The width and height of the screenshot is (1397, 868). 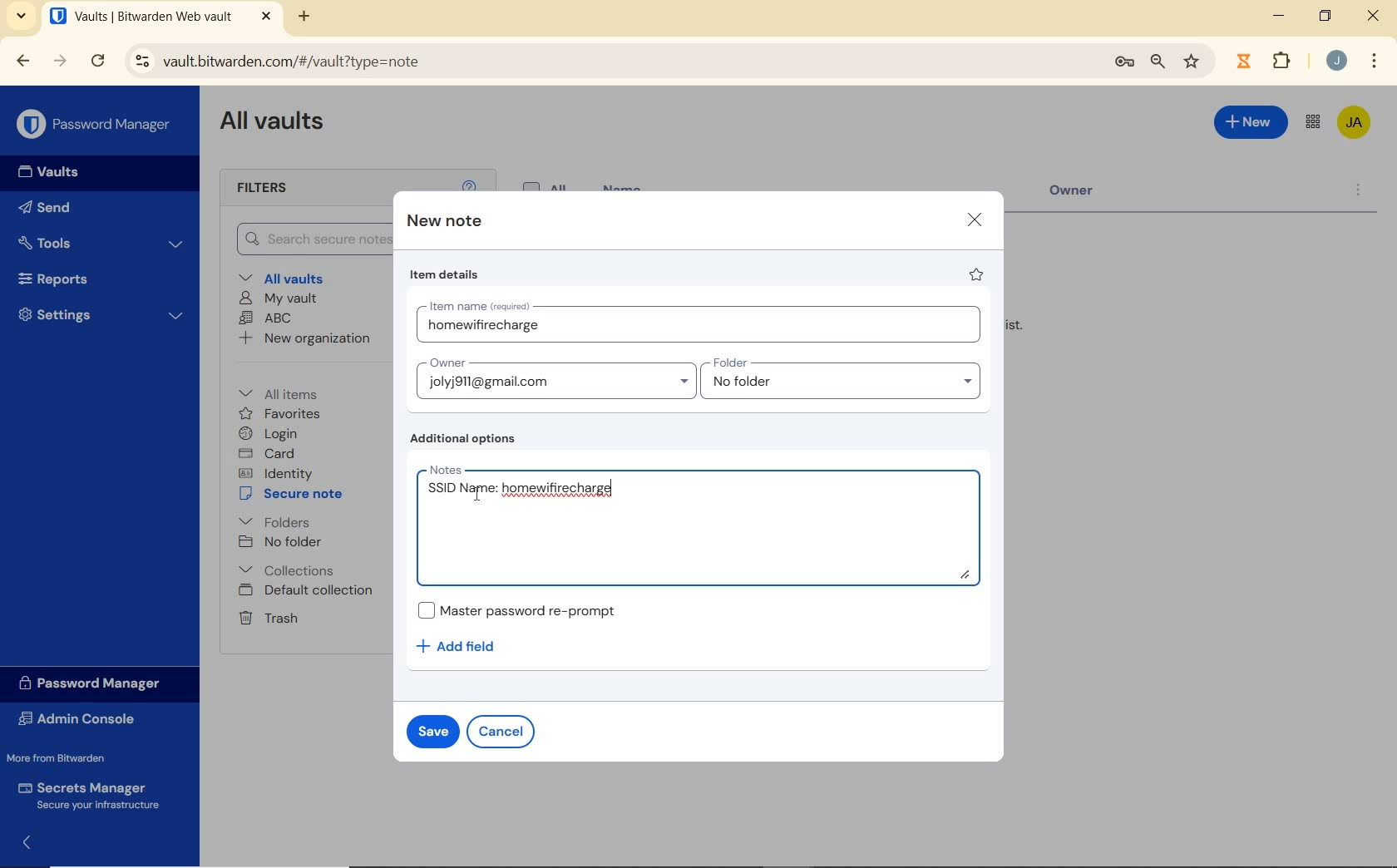 What do you see at coordinates (284, 277) in the screenshot?
I see `All vaults` at bounding box center [284, 277].